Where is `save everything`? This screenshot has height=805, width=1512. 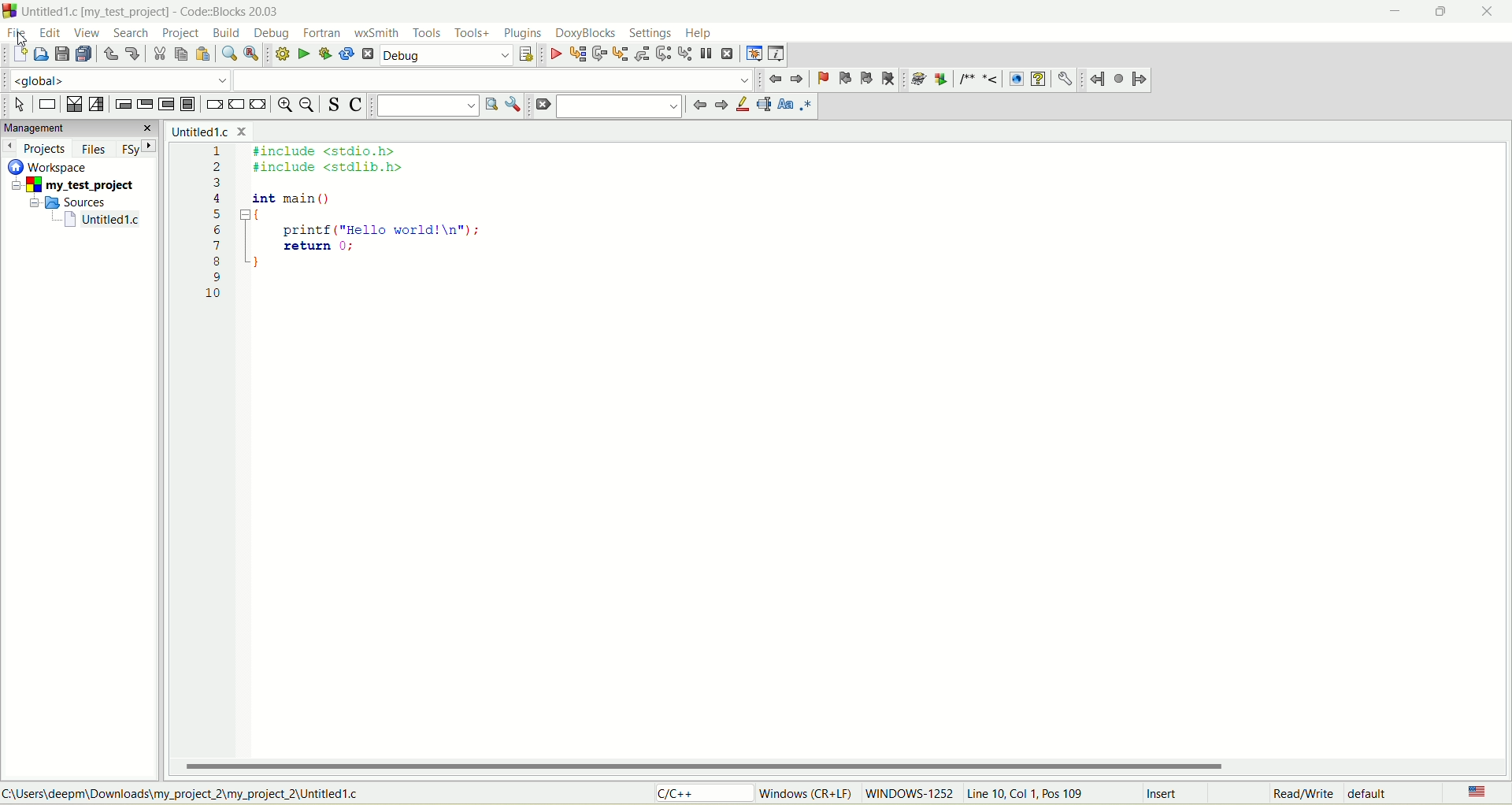 save everything is located at coordinates (83, 54).